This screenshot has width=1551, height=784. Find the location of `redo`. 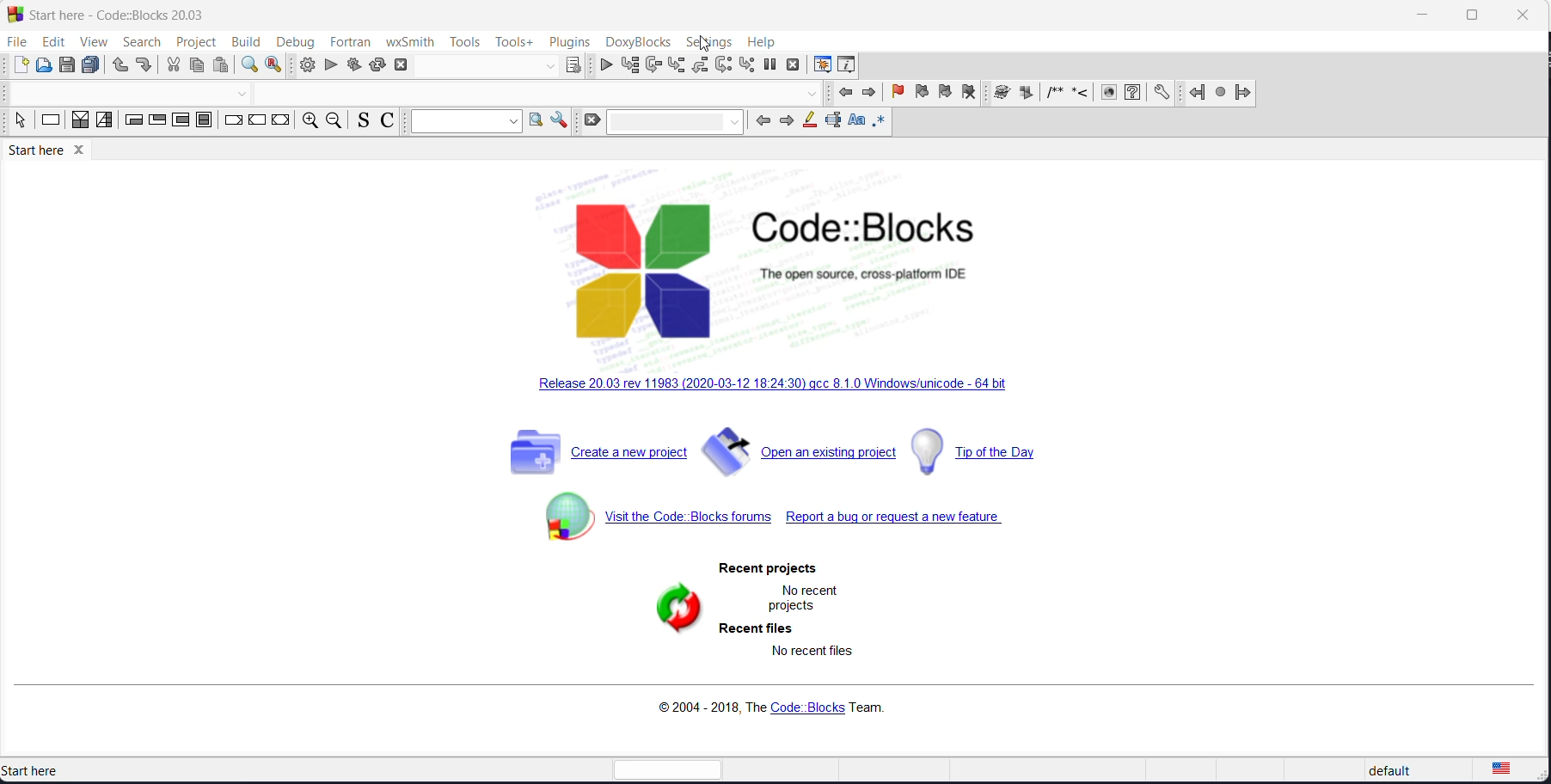

redo is located at coordinates (145, 67).